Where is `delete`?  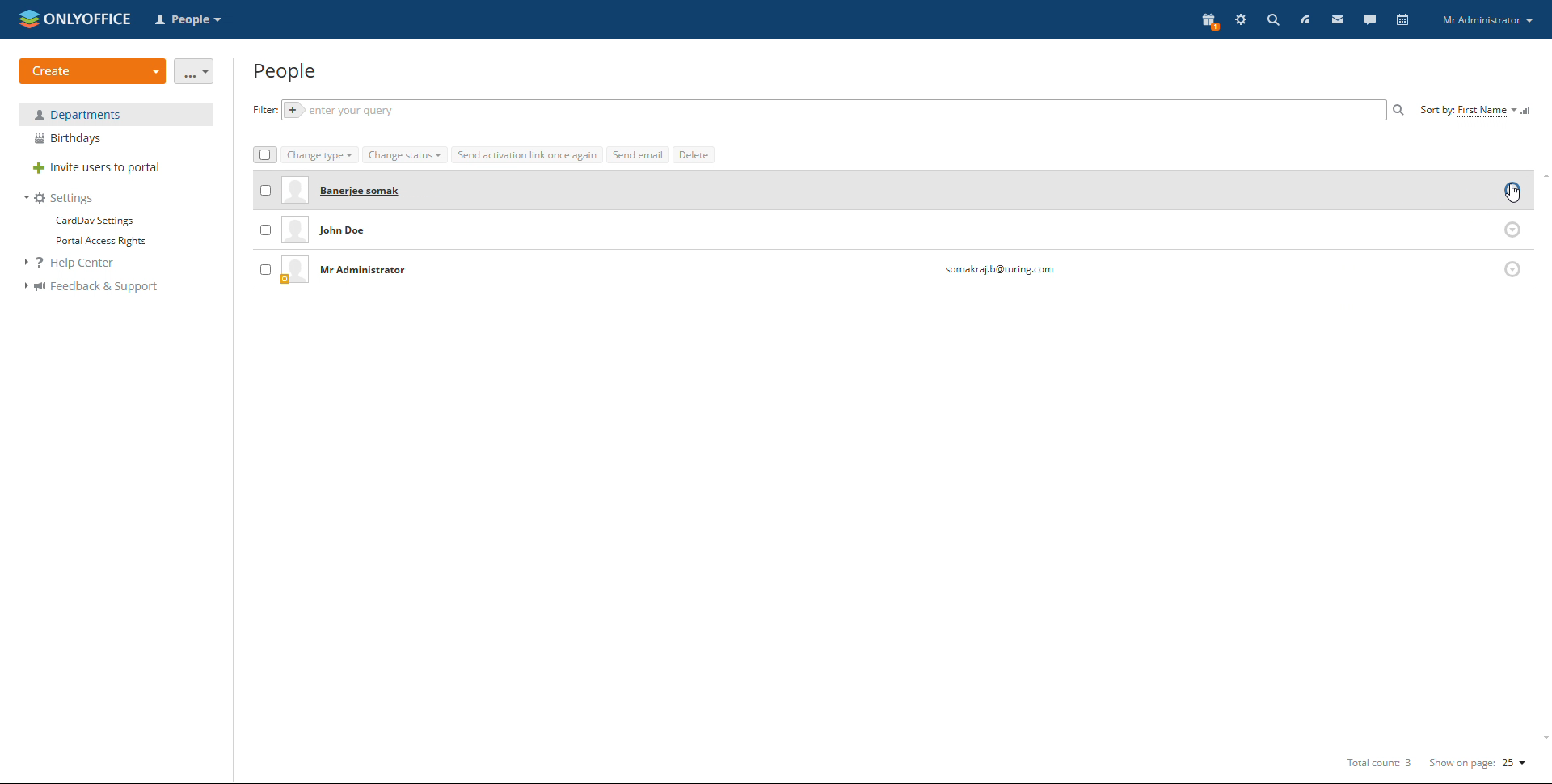 delete is located at coordinates (694, 154).